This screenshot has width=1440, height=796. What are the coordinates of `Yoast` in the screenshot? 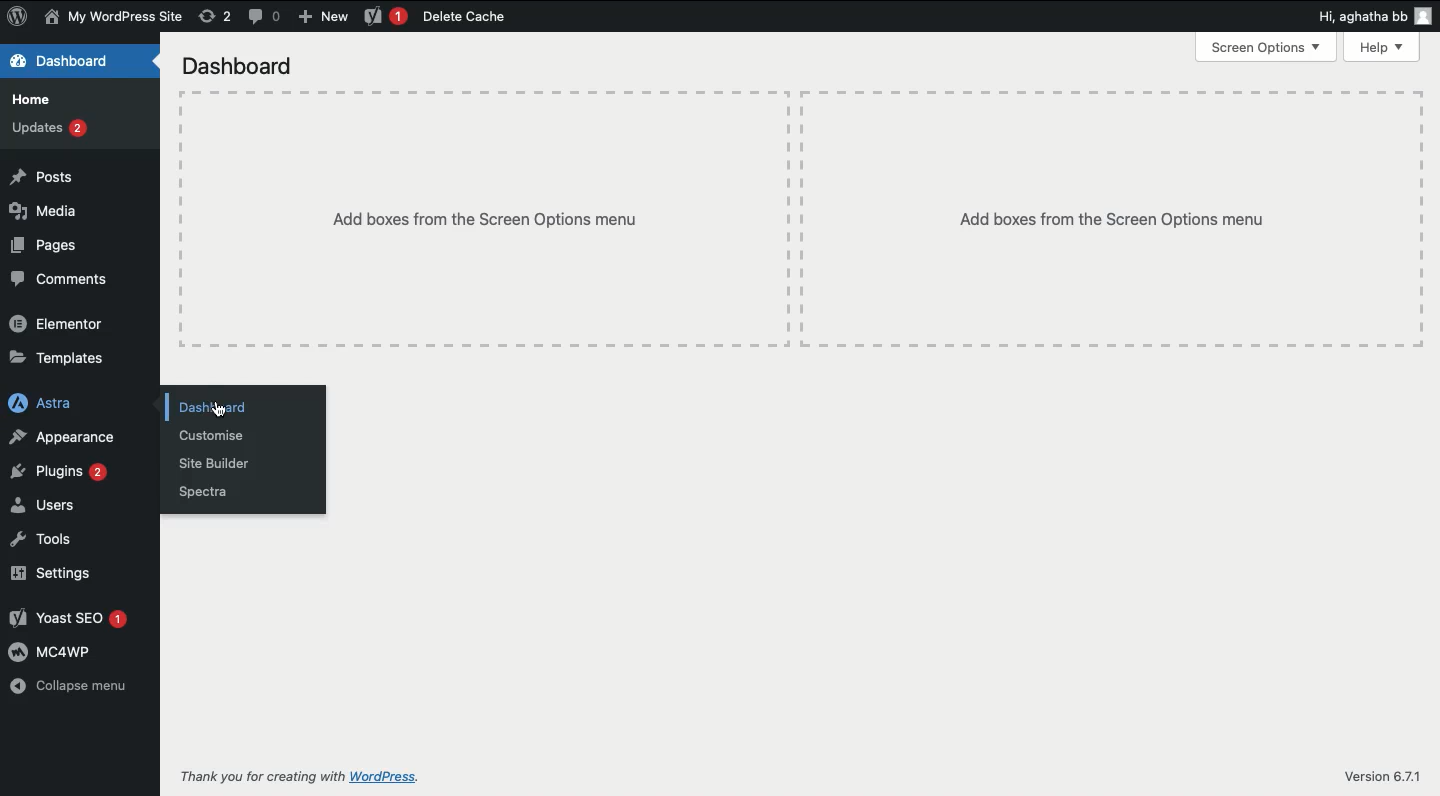 It's located at (69, 617).